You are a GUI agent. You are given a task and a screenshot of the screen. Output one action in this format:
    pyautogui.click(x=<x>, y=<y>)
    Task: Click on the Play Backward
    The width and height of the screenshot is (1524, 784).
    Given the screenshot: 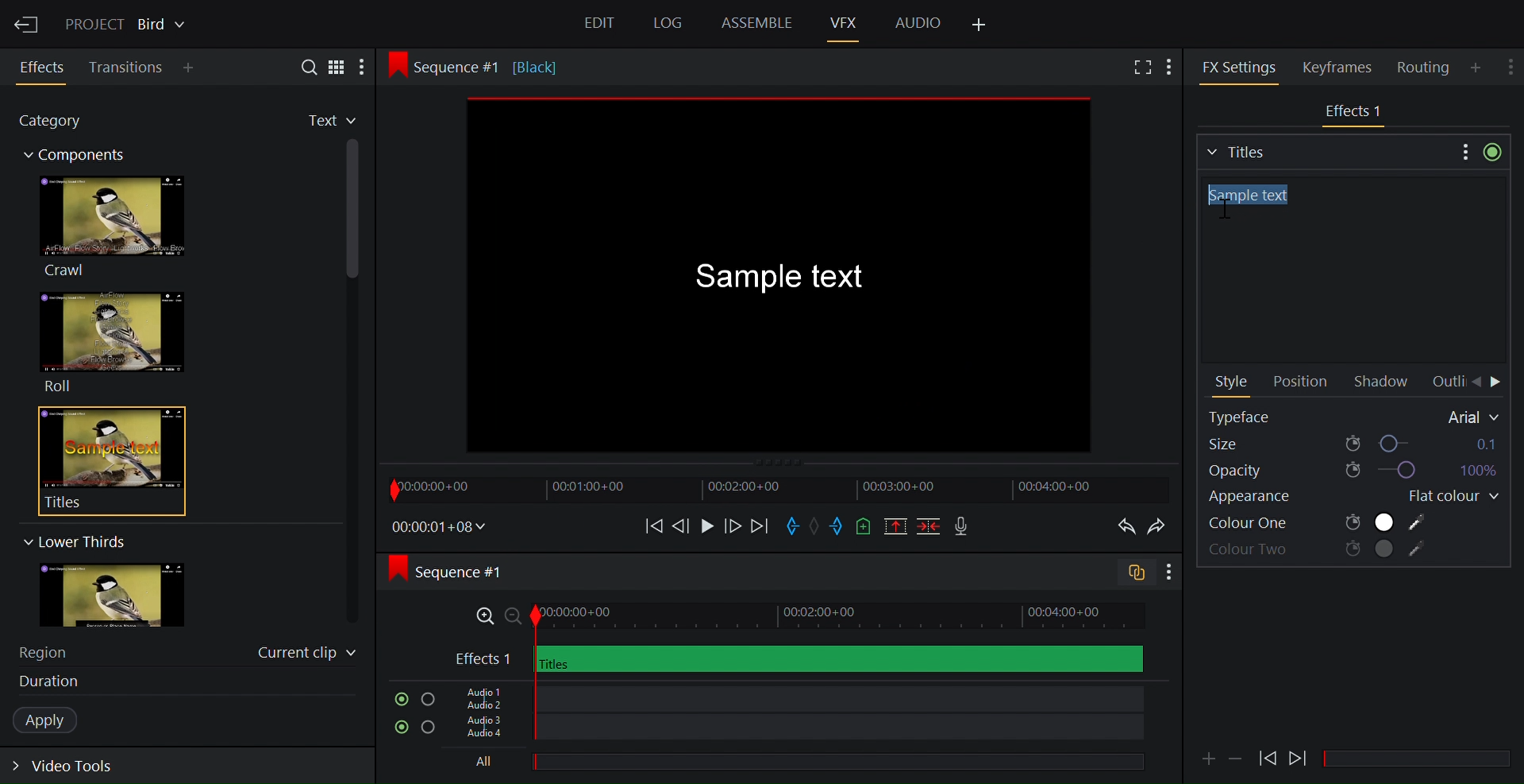 What is the action you would take?
    pyautogui.click(x=1299, y=755)
    